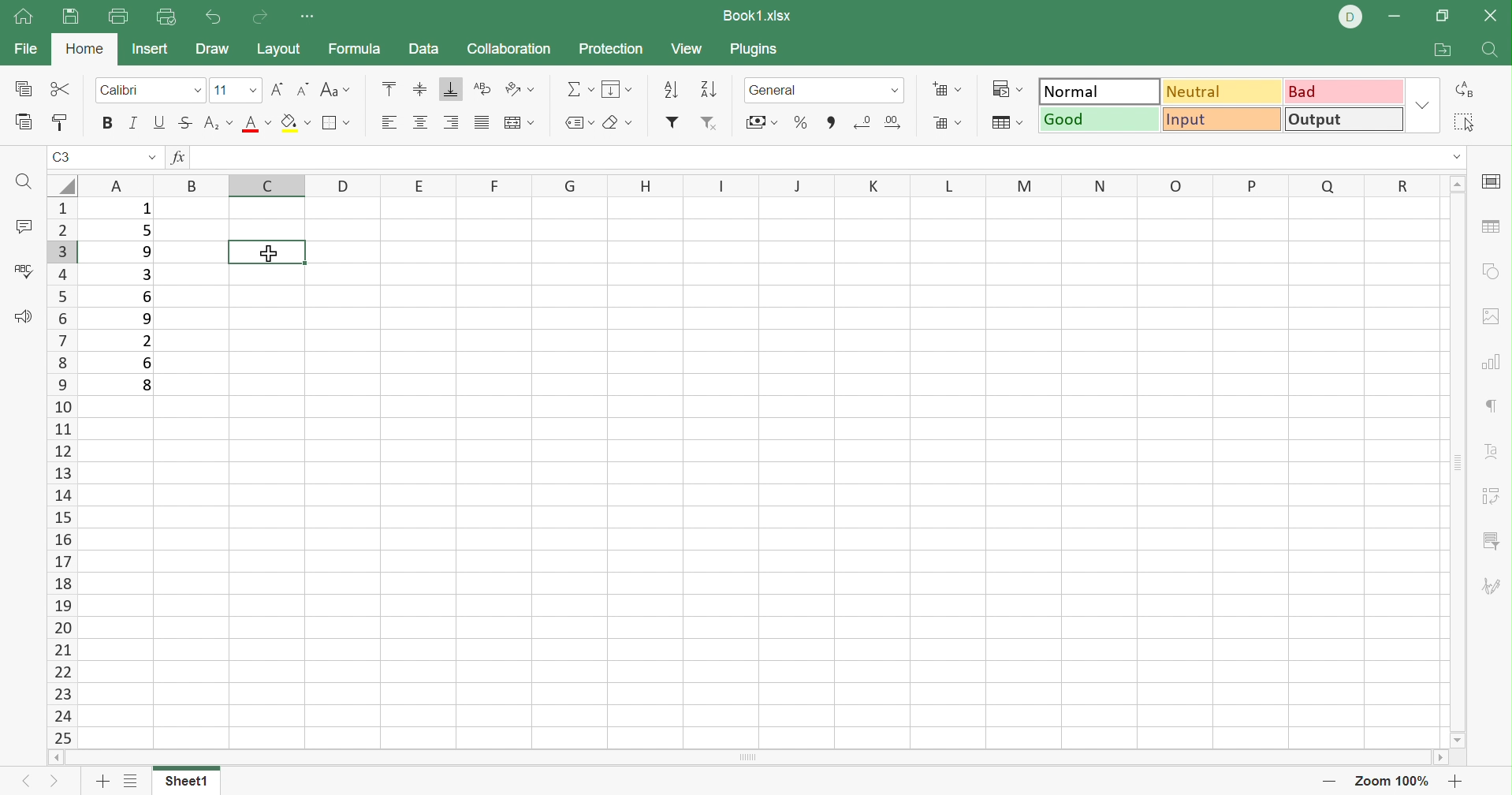 Image resolution: width=1512 pixels, height=795 pixels. Describe the element at coordinates (269, 252) in the screenshot. I see `Cursor` at that location.